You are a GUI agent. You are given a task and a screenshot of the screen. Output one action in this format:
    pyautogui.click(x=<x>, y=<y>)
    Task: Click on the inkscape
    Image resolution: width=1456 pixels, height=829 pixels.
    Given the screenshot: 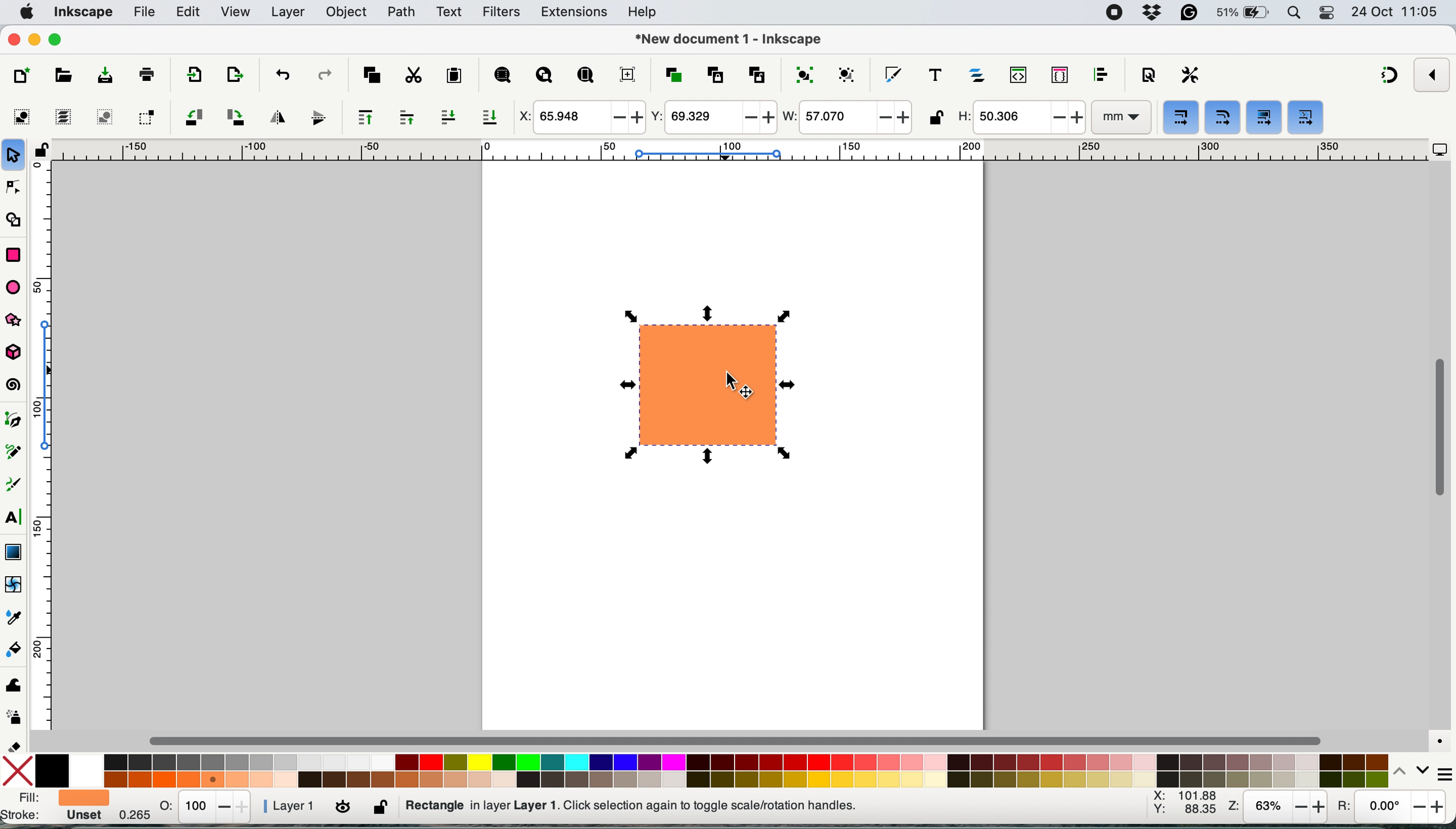 What is the action you would take?
    pyautogui.click(x=83, y=13)
    